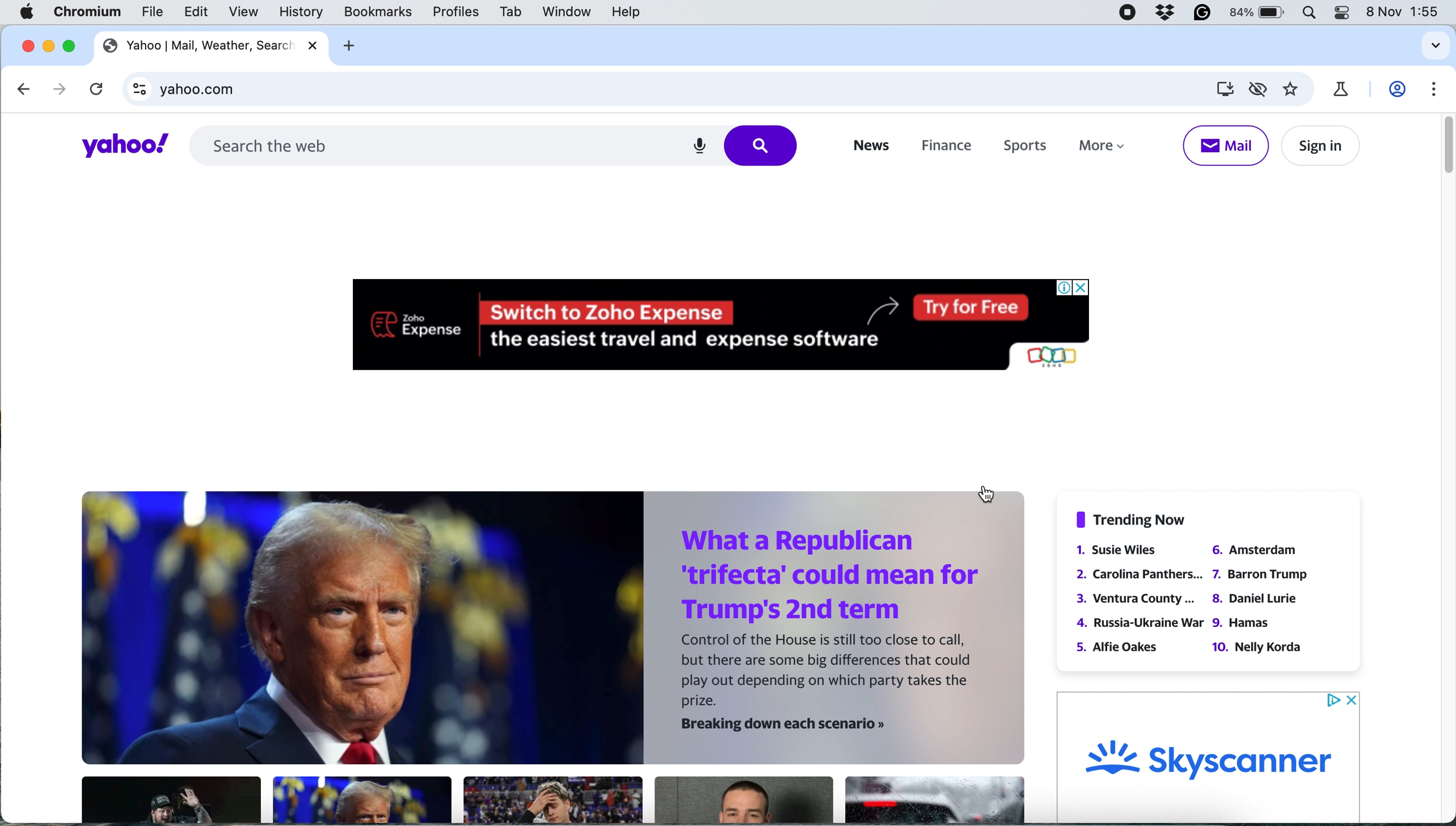 The height and width of the screenshot is (826, 1456). I want to click on refresh, so click(95, 88).